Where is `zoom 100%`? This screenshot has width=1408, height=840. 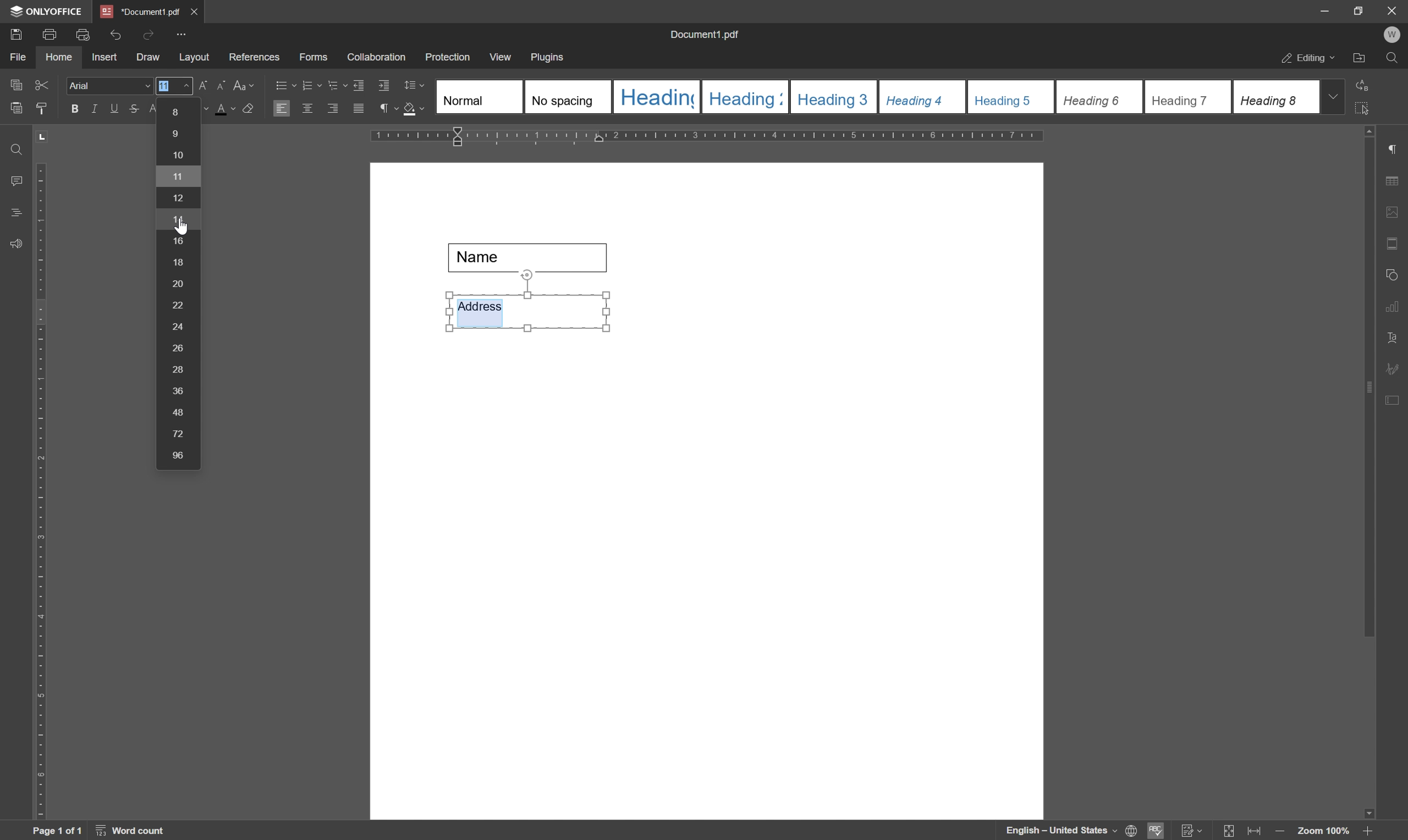 zoom 100% is located at coordinates (1323, 831).